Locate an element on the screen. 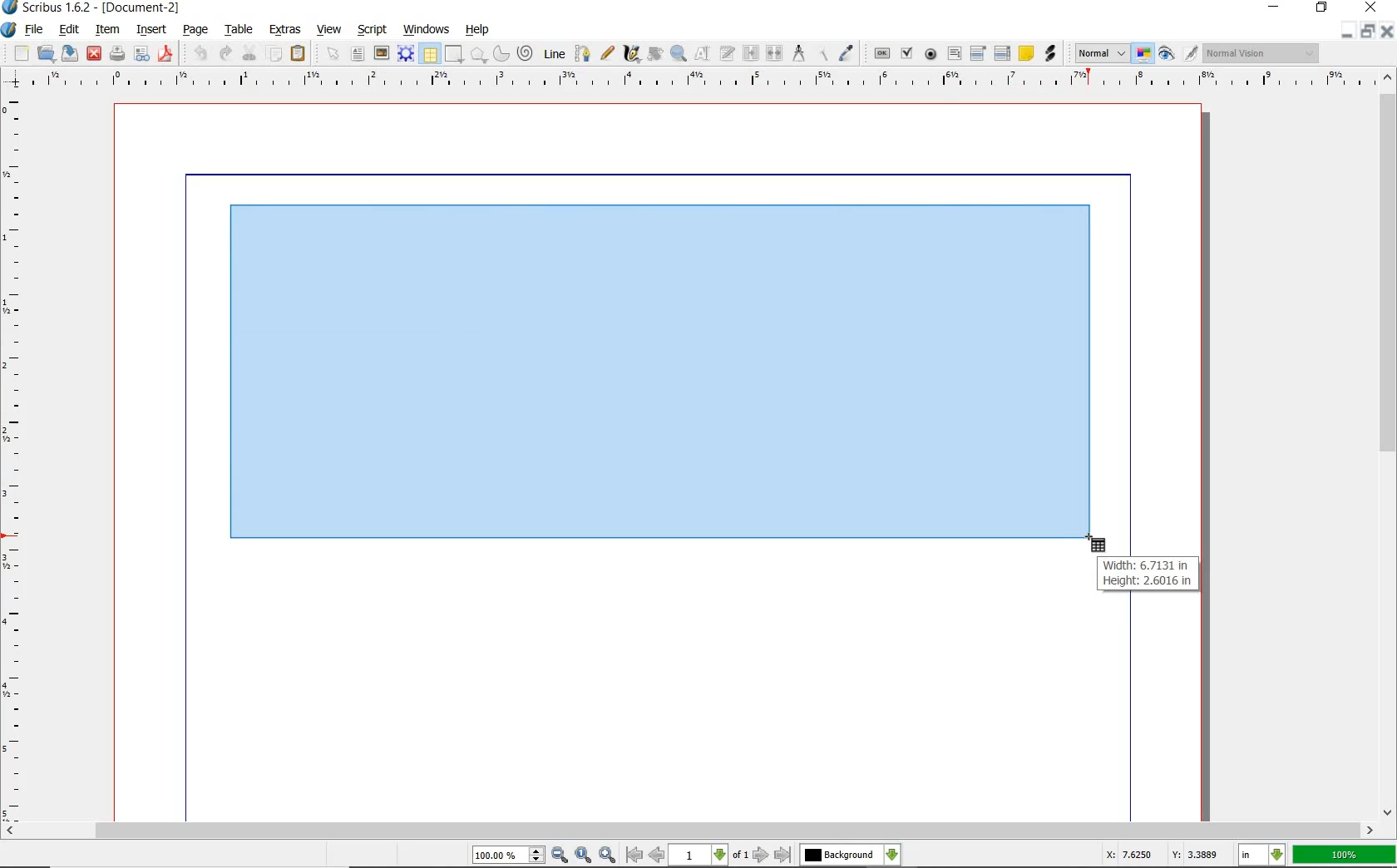 The height and width of the screenshot is (868, 1397). table is located at coordinates (241, 31).